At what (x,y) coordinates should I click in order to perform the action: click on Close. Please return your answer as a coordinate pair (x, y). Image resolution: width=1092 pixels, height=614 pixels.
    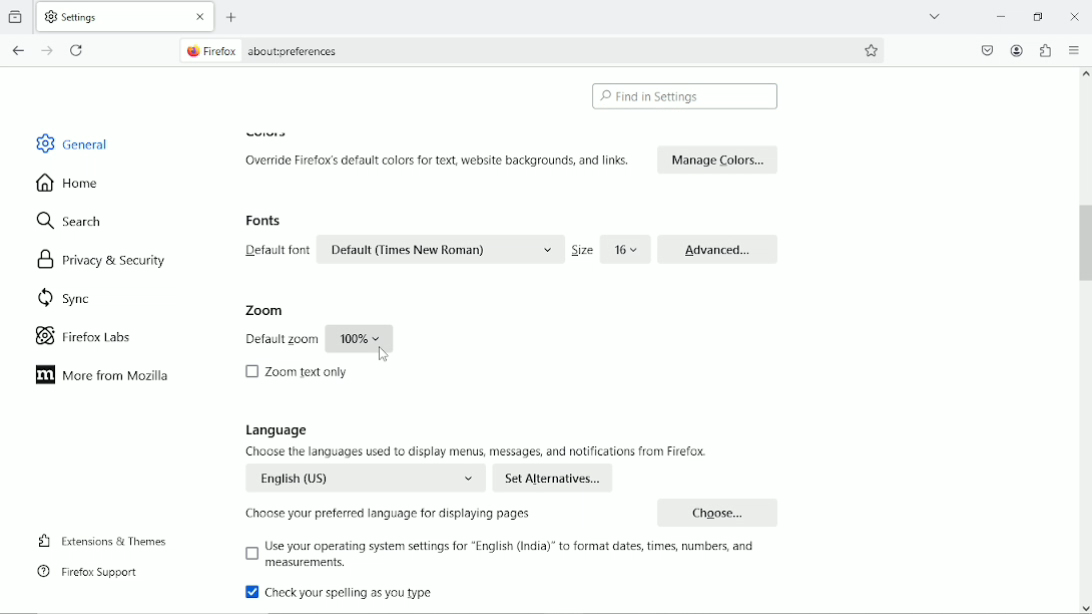
    Looking at the image, I should click on (1074, 15).